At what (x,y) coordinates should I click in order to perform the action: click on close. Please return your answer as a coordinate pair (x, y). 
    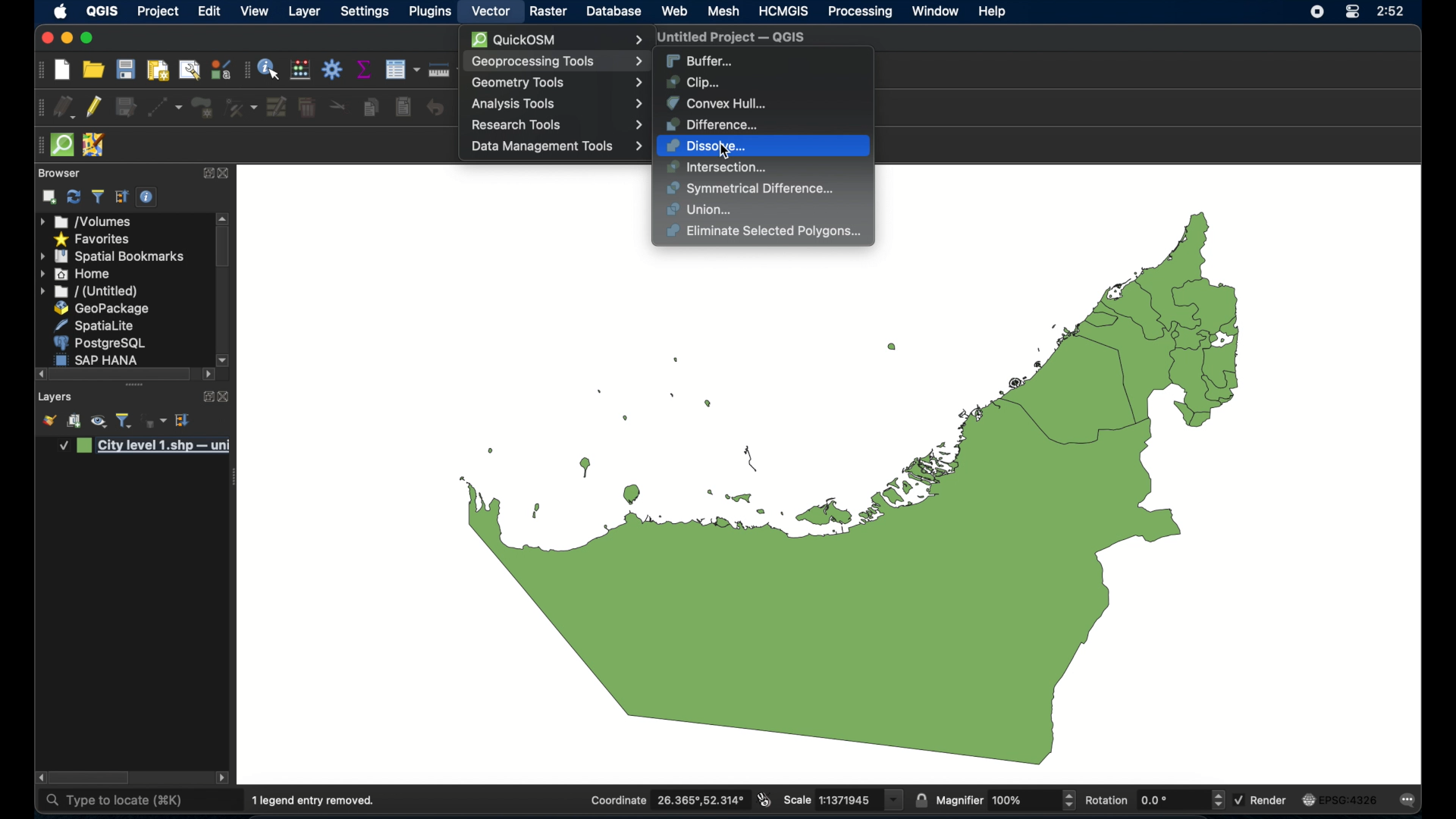
    Looking at the image, I should click on (225, 174).